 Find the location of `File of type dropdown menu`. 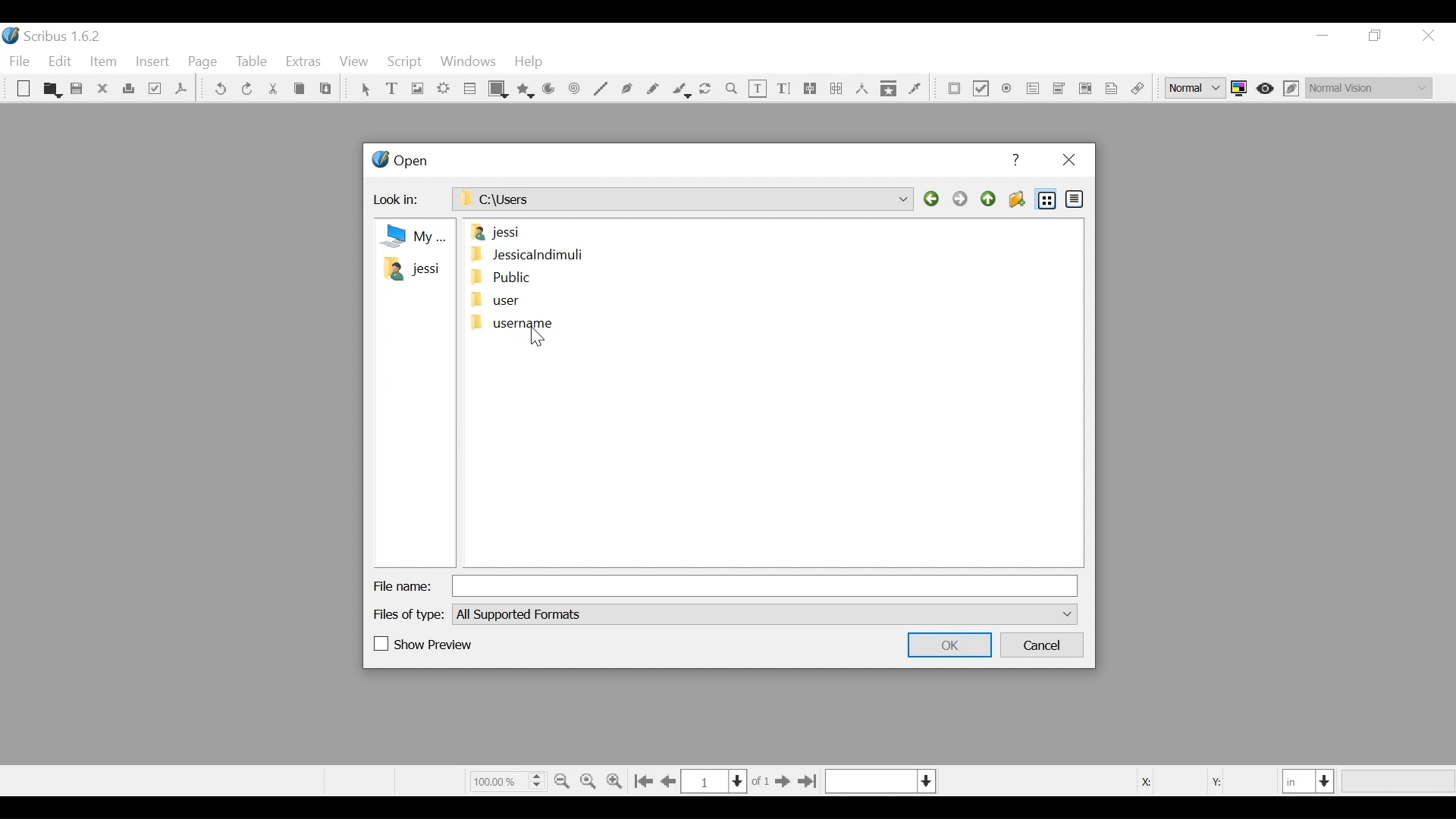

File of type dropdown menu is located at coordinates (764, 613).